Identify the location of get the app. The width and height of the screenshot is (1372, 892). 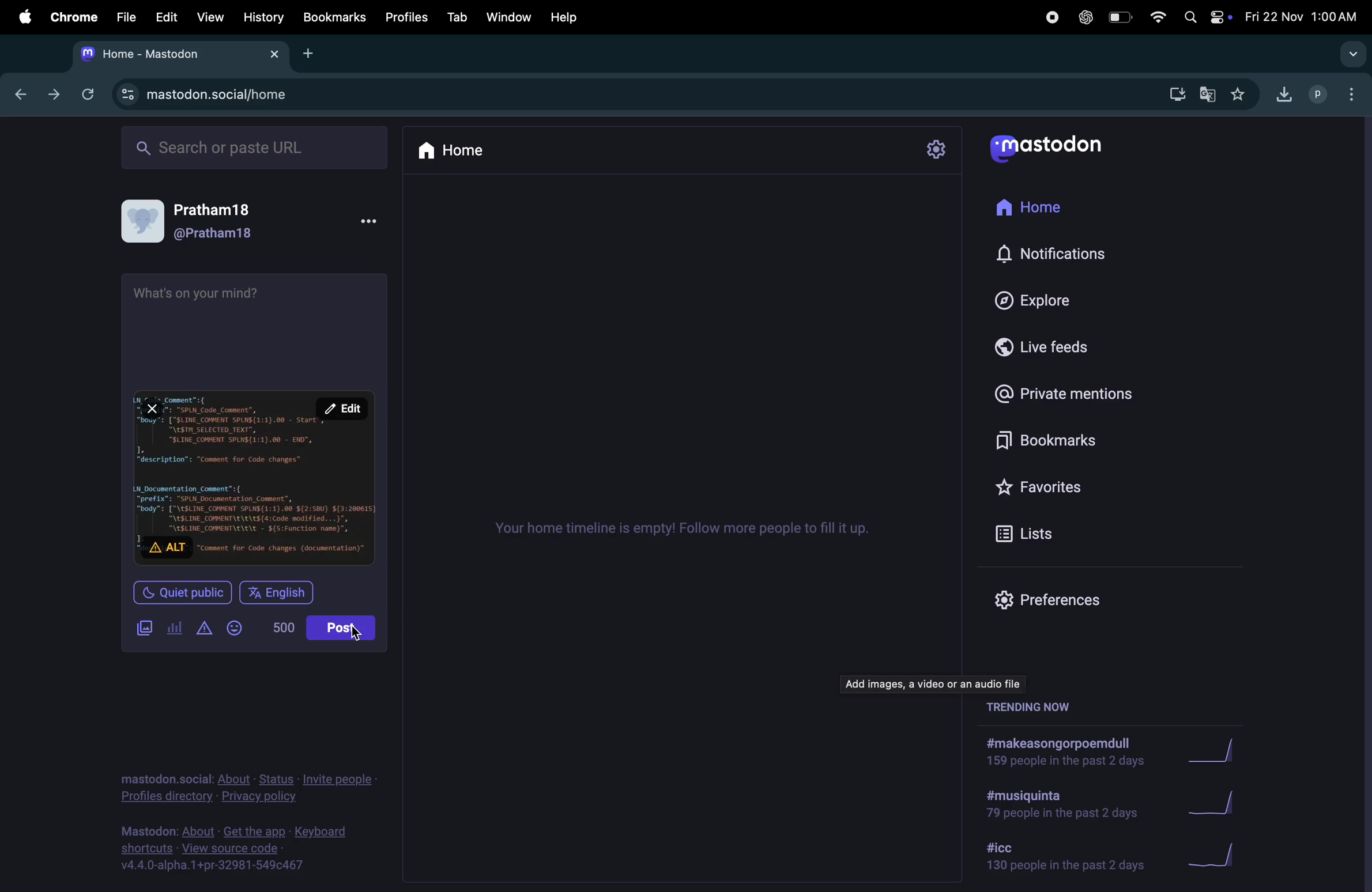
(257, 830).